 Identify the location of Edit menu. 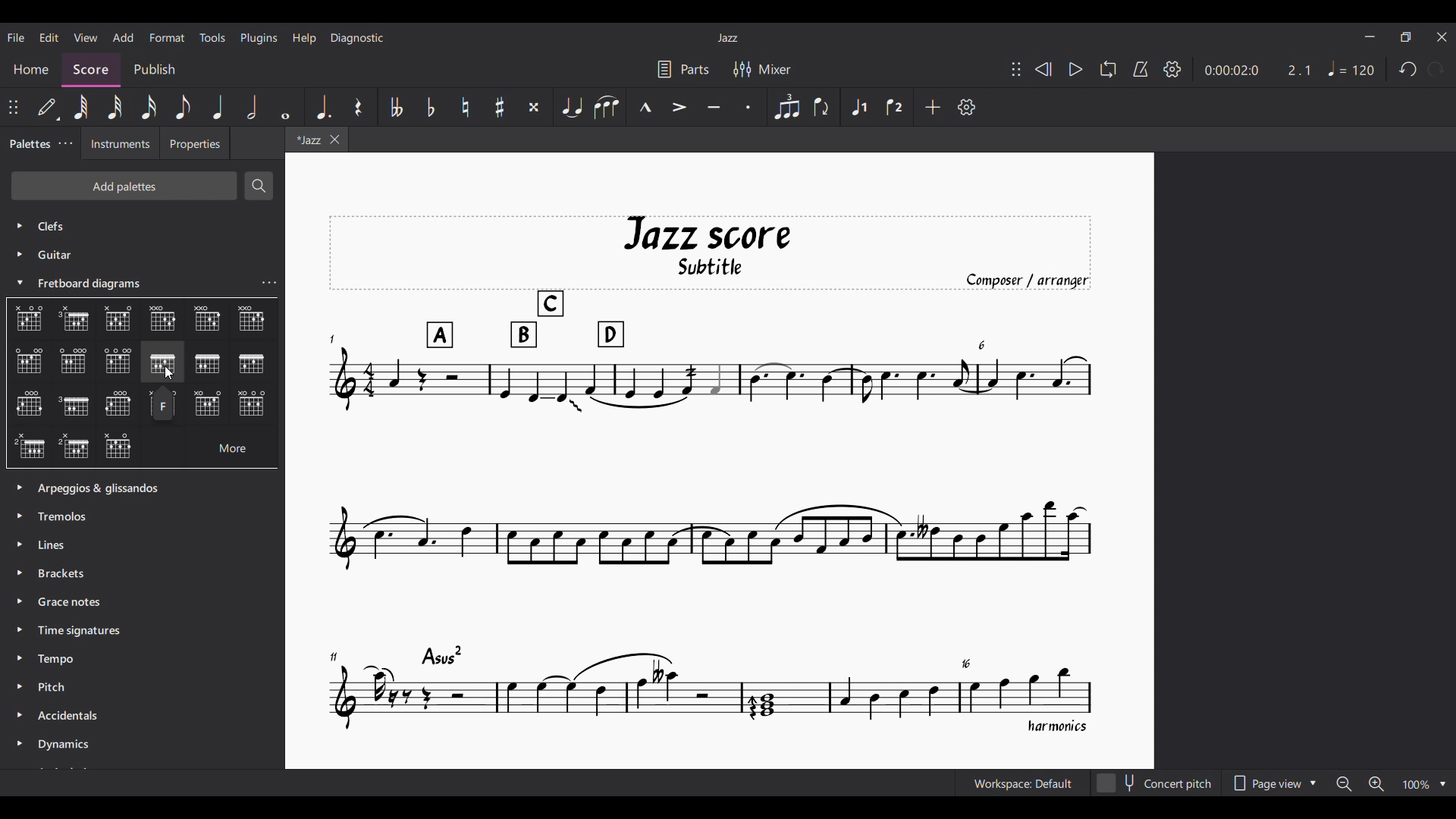
(49, 37).